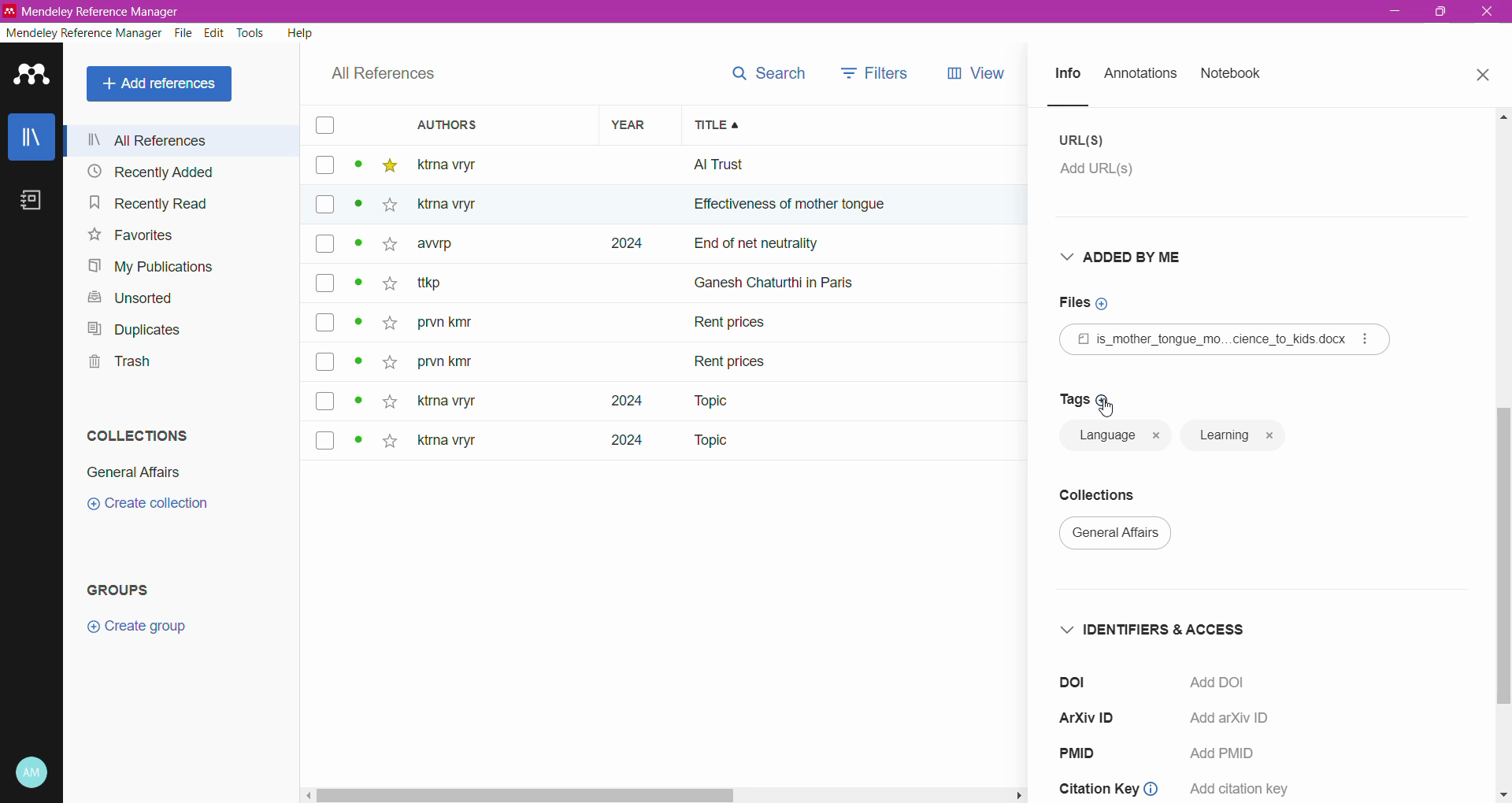 Image resolution: width=1512 pixels, height=803 pixels. What do you see at coordinates (623, 244) in the screenshot?
I see `2024` at bounding box center [623, 244].